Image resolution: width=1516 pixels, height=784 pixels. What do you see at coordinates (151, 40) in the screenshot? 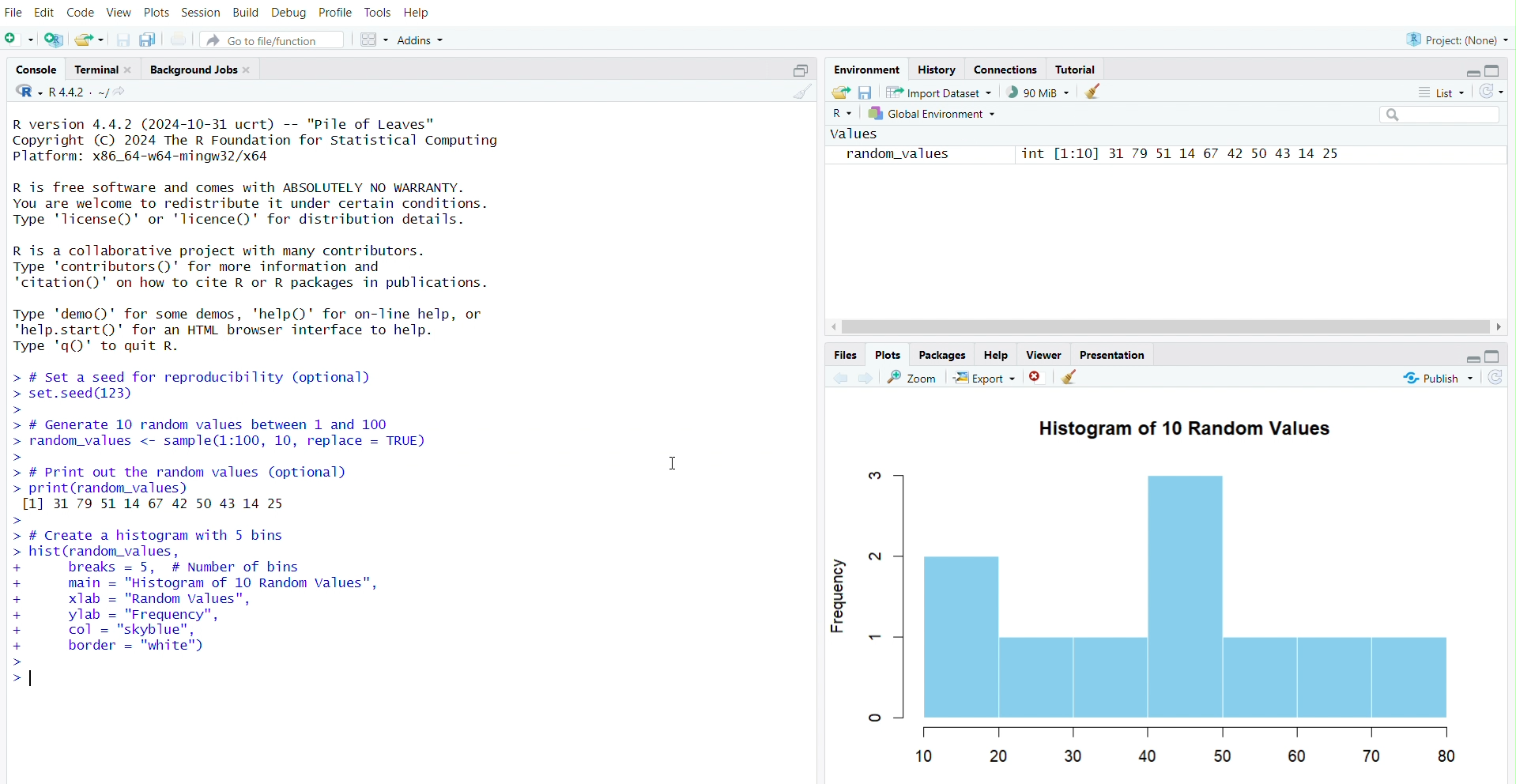
I see `save all open documents` at bounding box center [151, 40].